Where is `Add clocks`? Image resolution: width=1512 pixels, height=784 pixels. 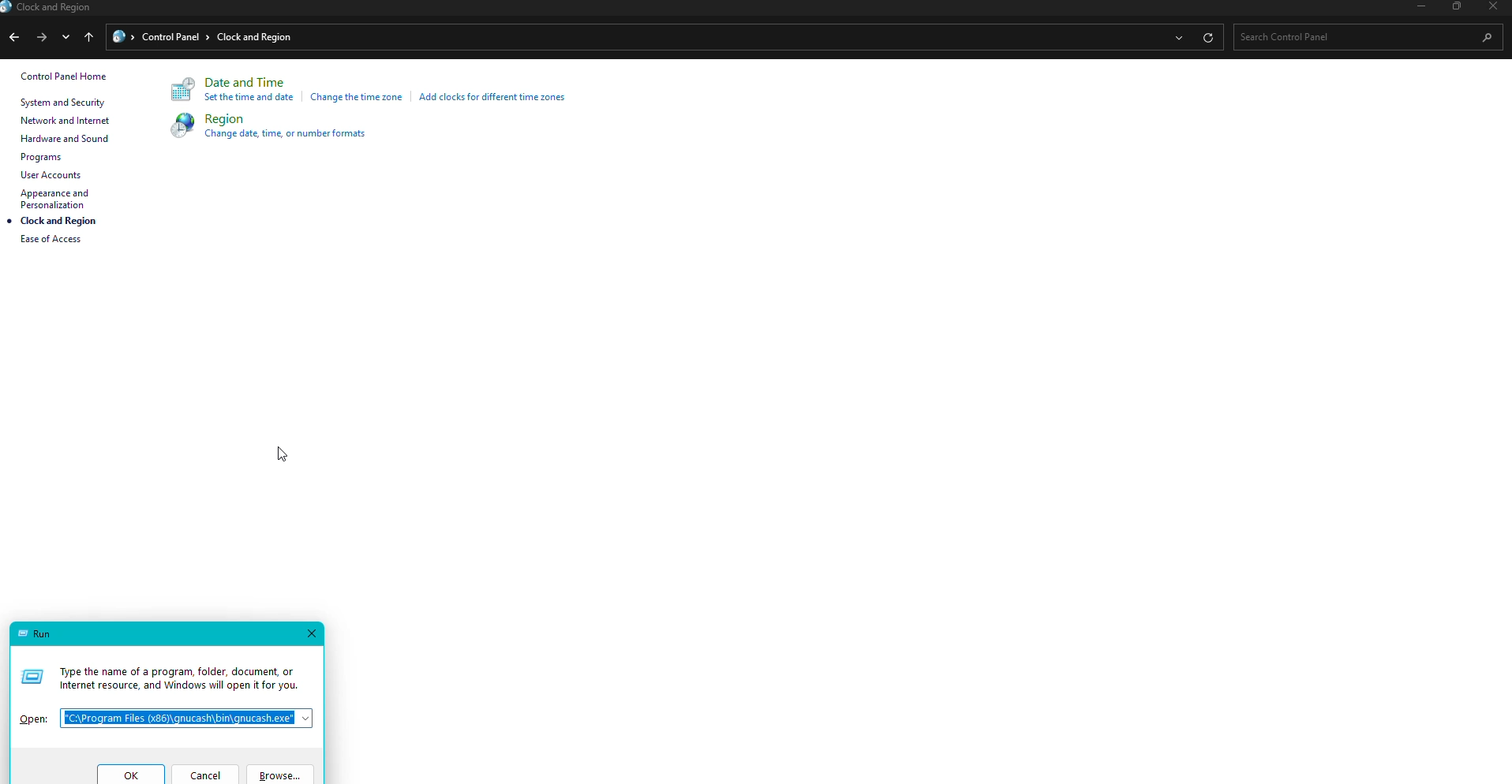
Add clocks is located at coordinates (496, 96).